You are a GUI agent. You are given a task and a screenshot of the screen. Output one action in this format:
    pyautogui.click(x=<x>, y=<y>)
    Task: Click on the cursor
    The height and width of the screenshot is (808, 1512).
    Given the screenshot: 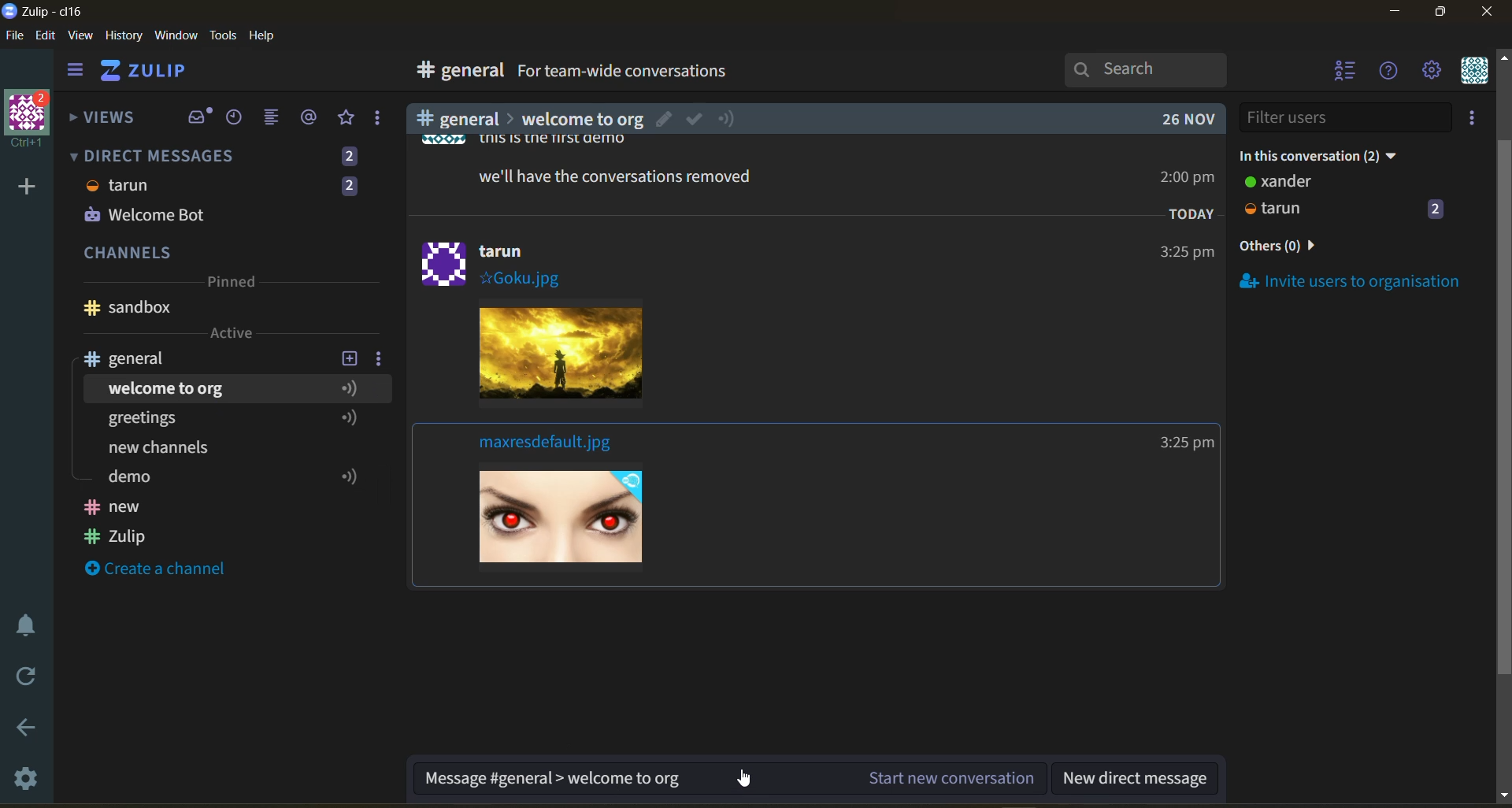 What is the action you would take?
    pyautogui.click(x=745, y=781)
    